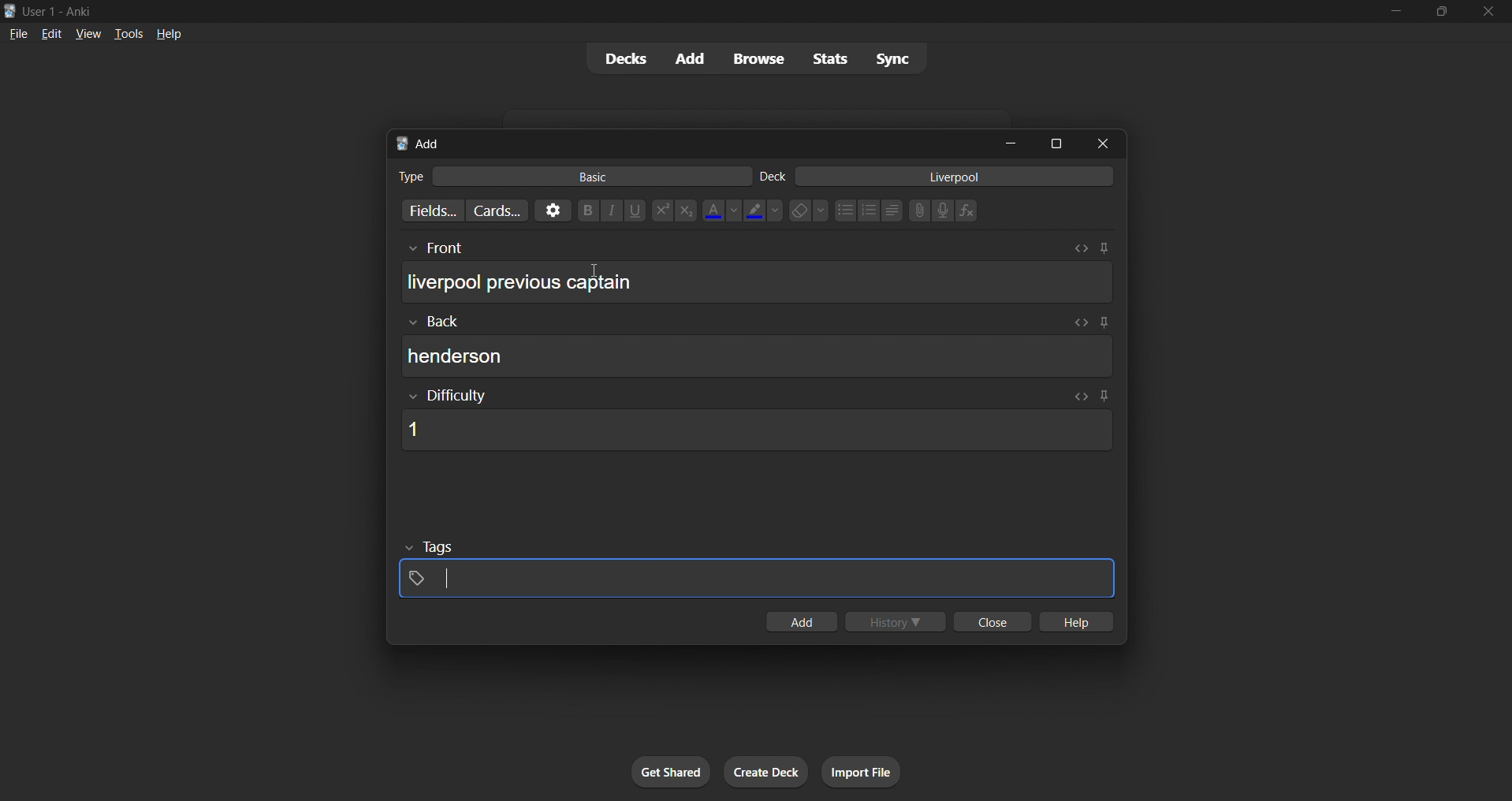 The width and height of the screenshot is (1512, 801). What do you see at coordinates (672, 773) in the screenshot?
I see `get shared` at bounding box center [672, 773].